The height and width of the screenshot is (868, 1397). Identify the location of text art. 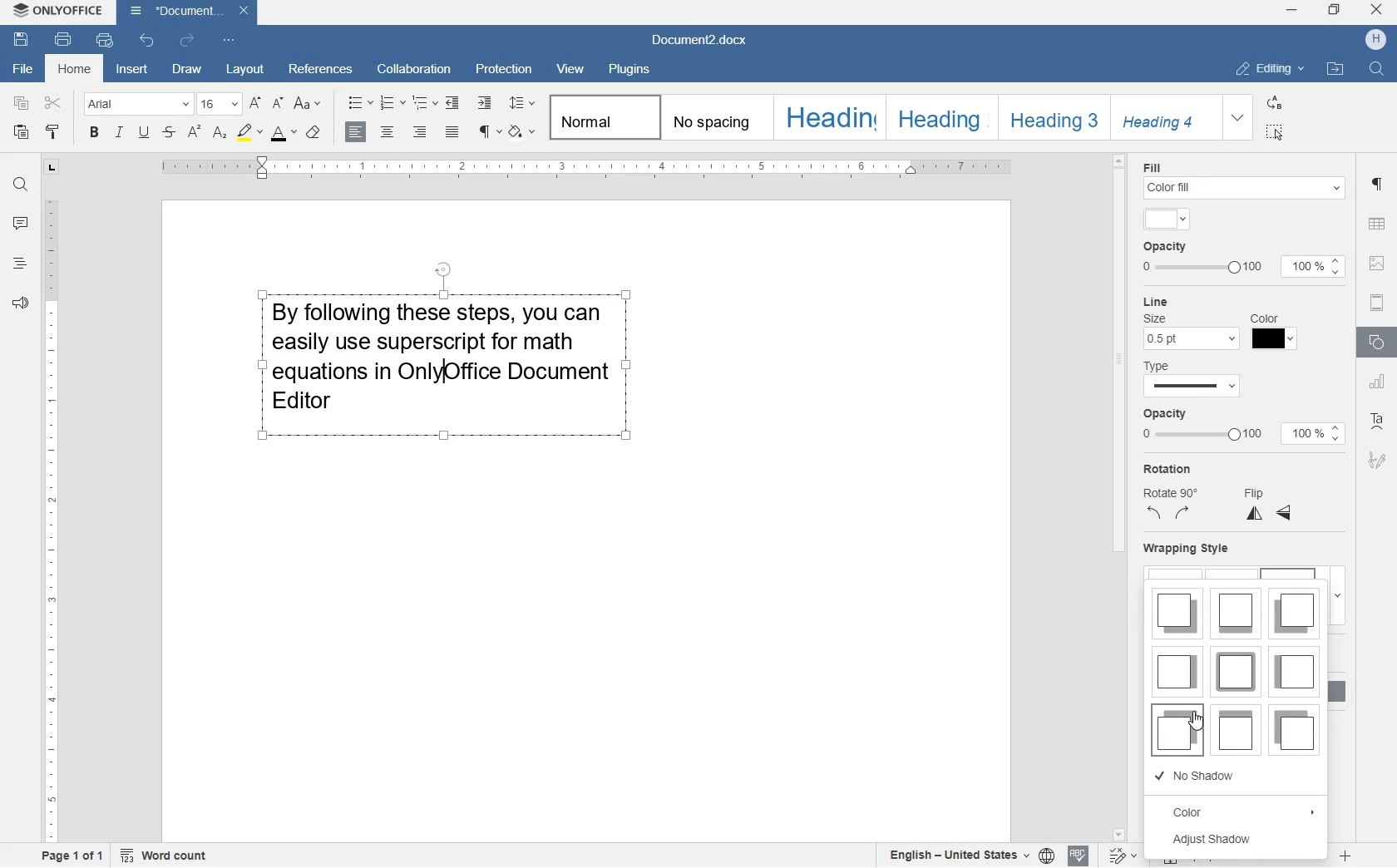
(1377, 423).